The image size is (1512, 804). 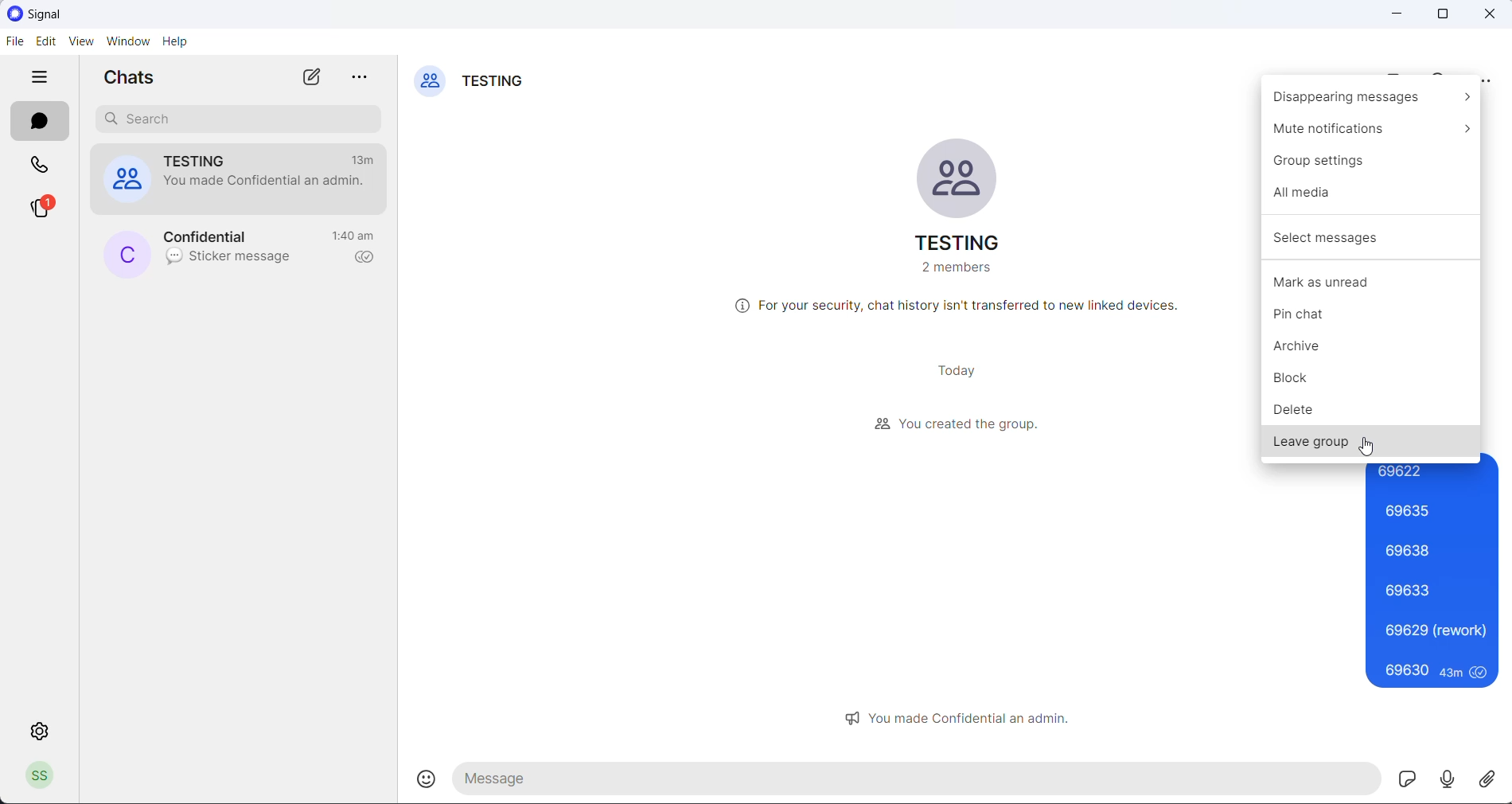 What do you see at coordinates (178, 42) in the screenshot?
I see `help` at bounding box center [178, 42].